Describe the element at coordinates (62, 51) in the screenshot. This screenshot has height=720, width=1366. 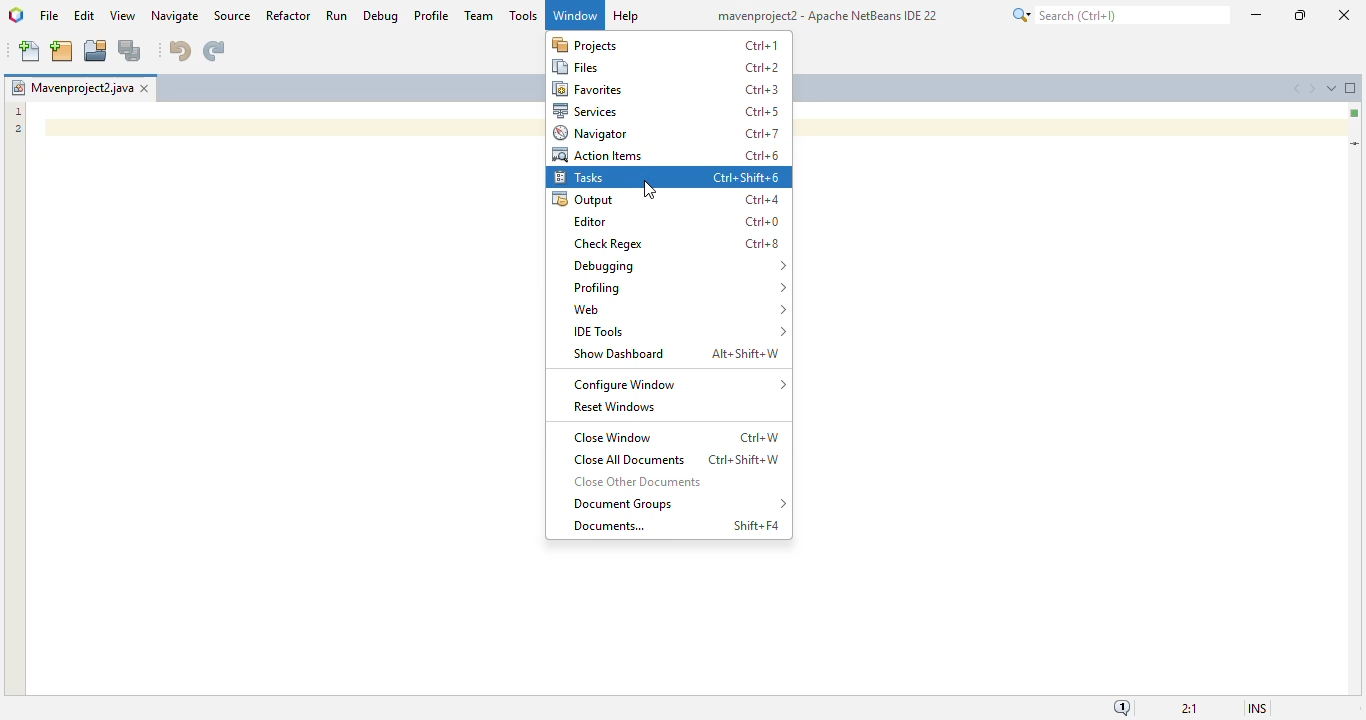
I see `new project` at that location.